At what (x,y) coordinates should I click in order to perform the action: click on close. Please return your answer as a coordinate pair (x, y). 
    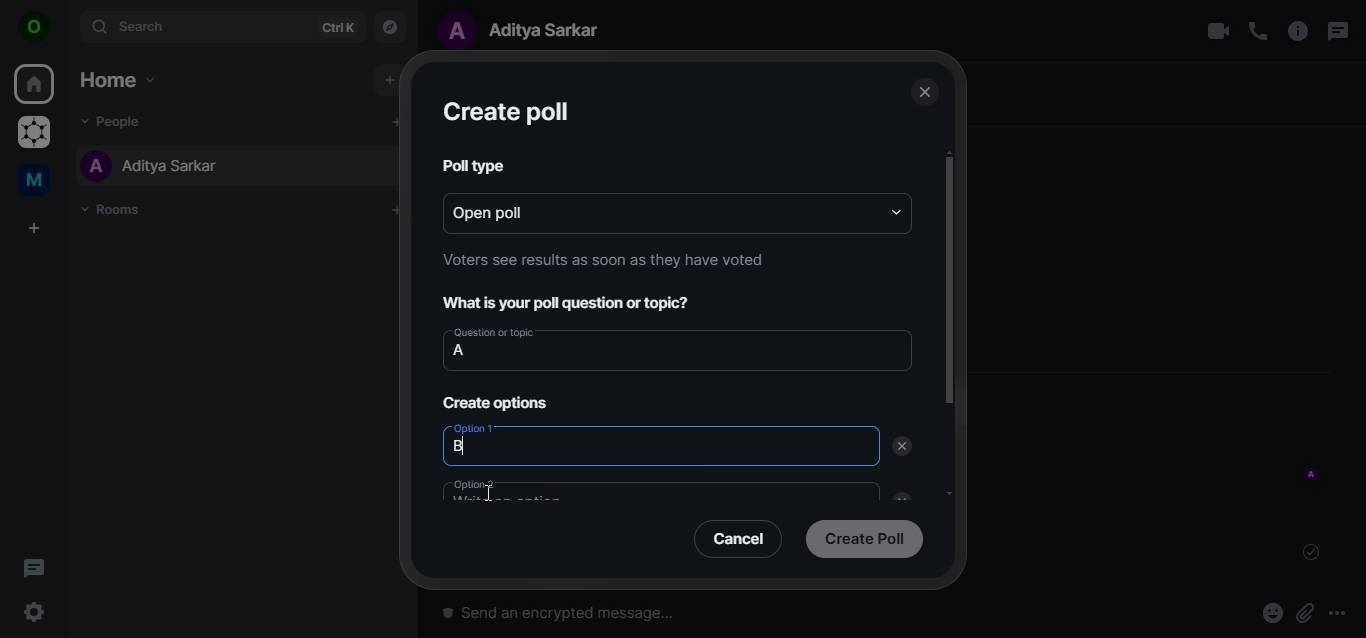
    Looking at the image, I should click on (923, 93).